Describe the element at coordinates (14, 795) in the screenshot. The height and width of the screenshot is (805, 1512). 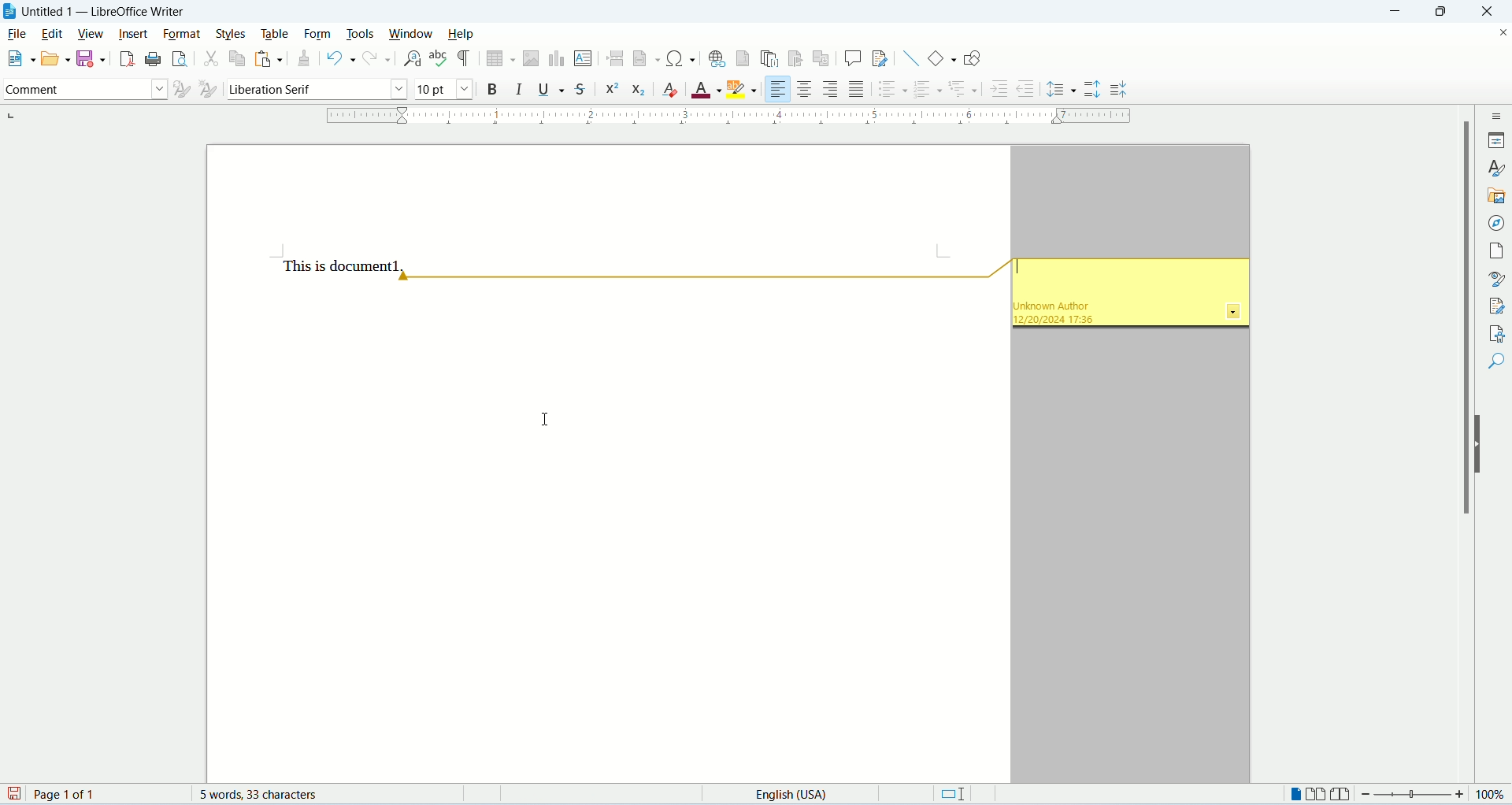
I see `save` at that location.